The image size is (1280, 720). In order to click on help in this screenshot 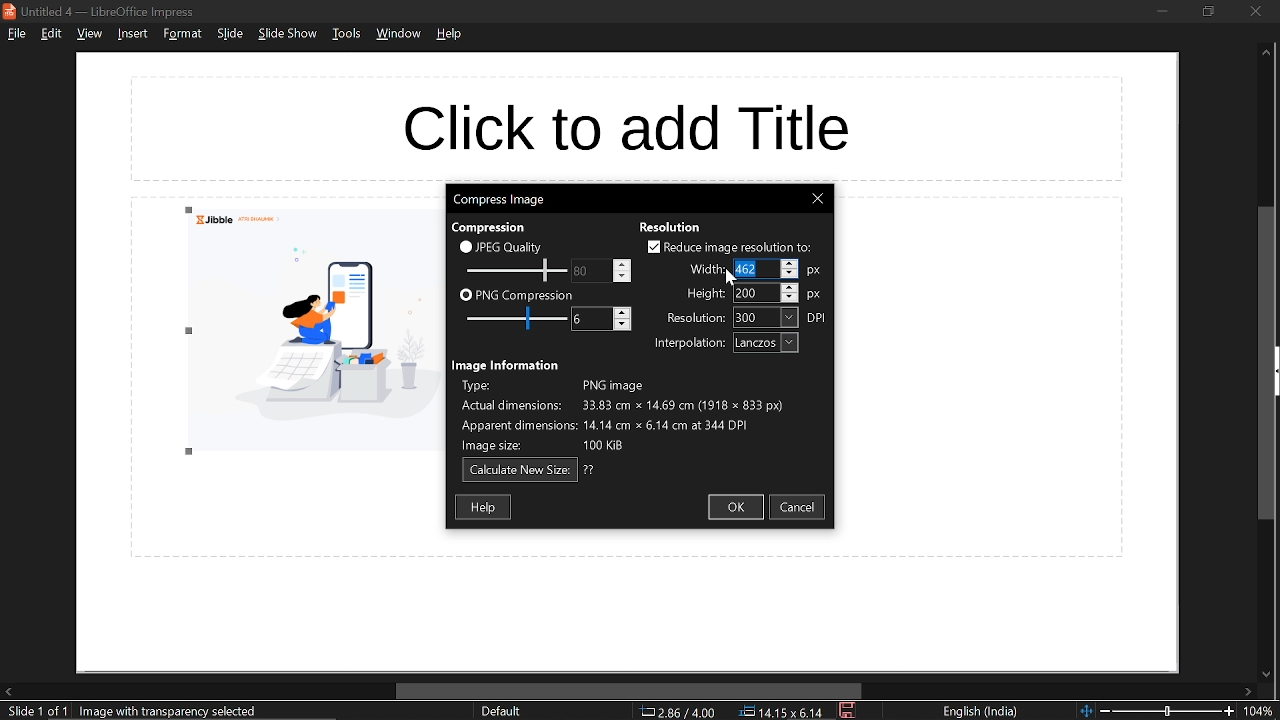, I will do `click(485, 506)`.